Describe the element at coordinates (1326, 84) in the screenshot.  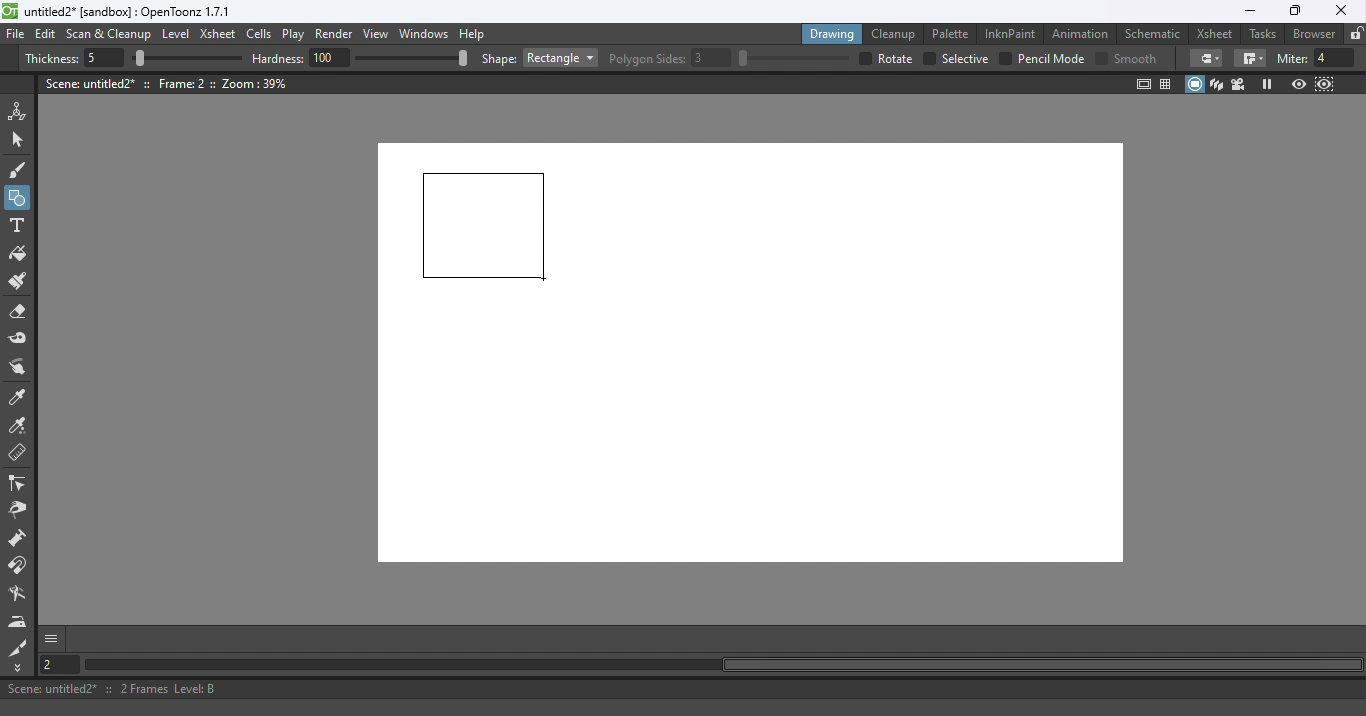
I see `Sub-Camera view` at that location.